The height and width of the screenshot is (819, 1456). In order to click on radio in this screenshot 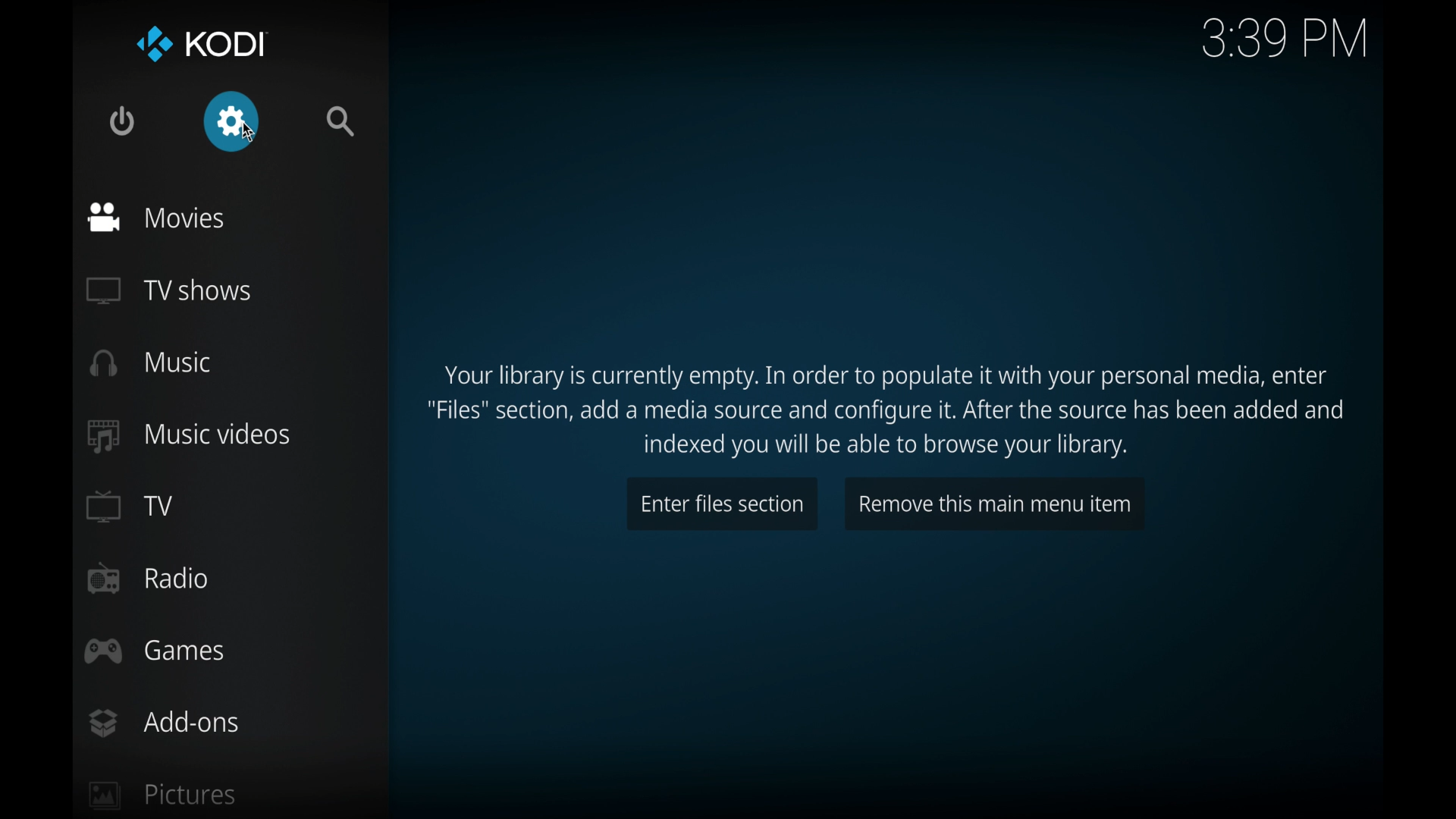, I will do `click(147, 579)`.